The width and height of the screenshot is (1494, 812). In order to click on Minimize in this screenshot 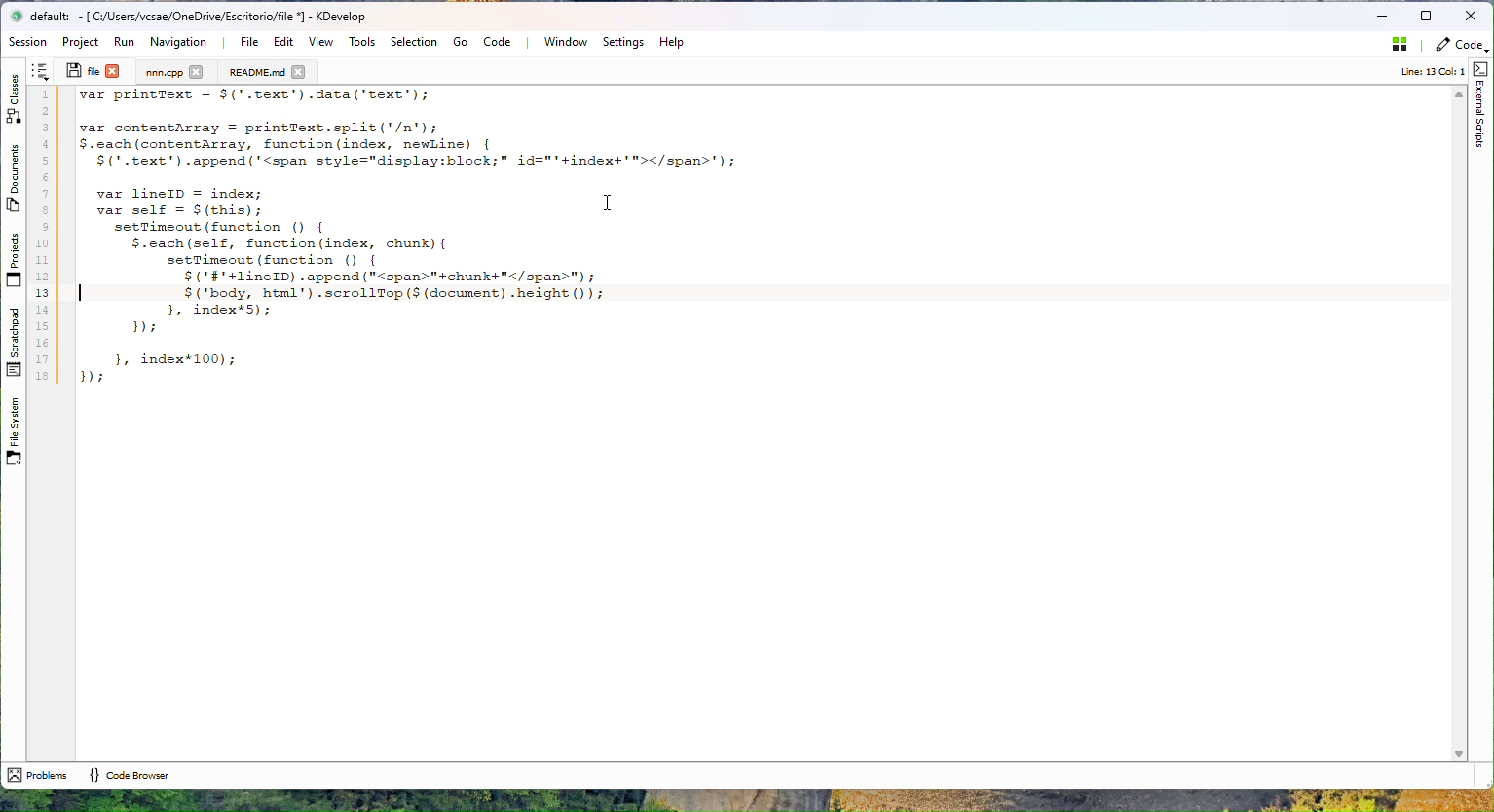, I will do `click(1381, 17)`.